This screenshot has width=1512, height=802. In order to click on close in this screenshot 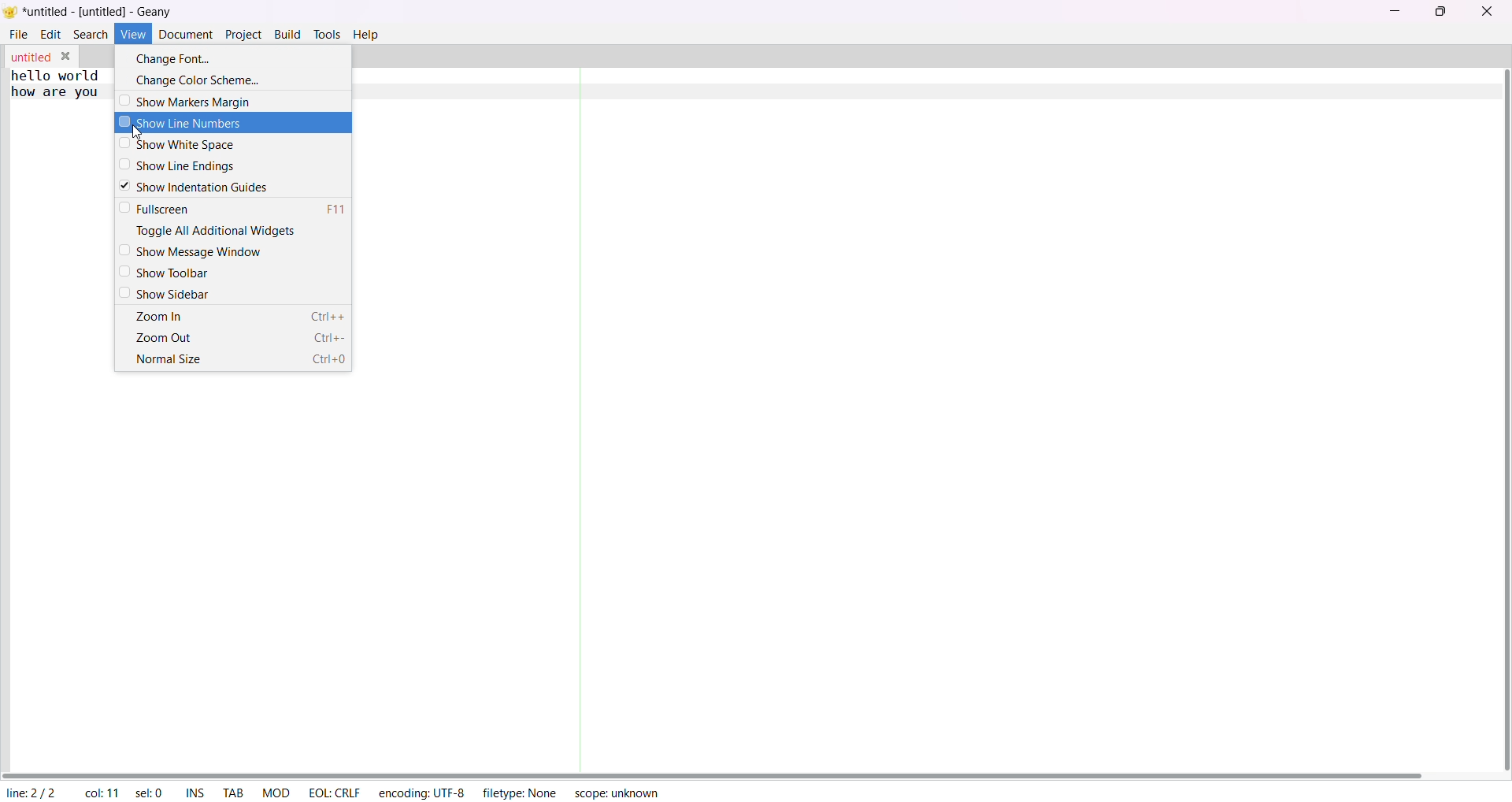, I will do `click(1486, 12)`.